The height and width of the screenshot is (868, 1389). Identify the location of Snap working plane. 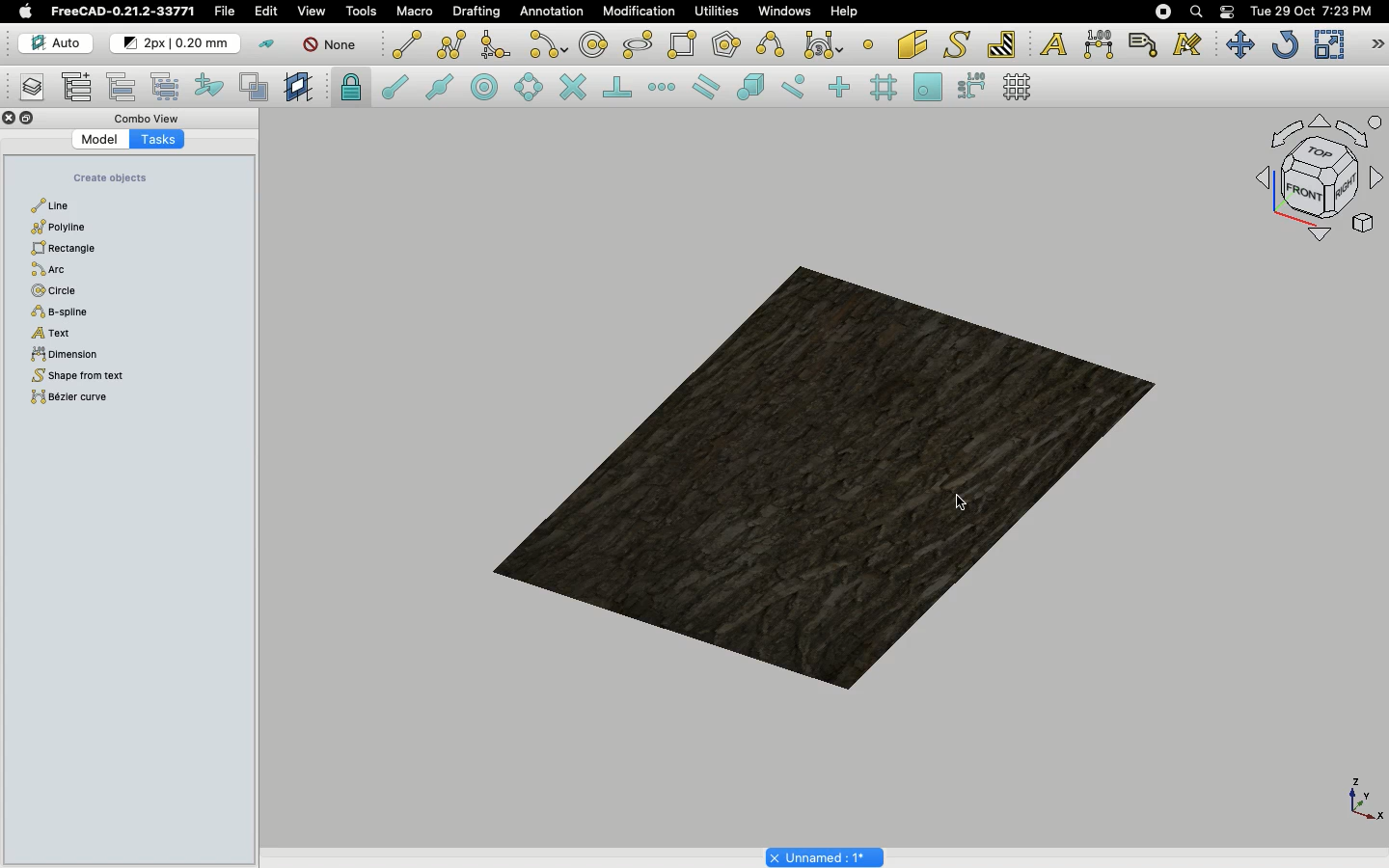
(925, 84).